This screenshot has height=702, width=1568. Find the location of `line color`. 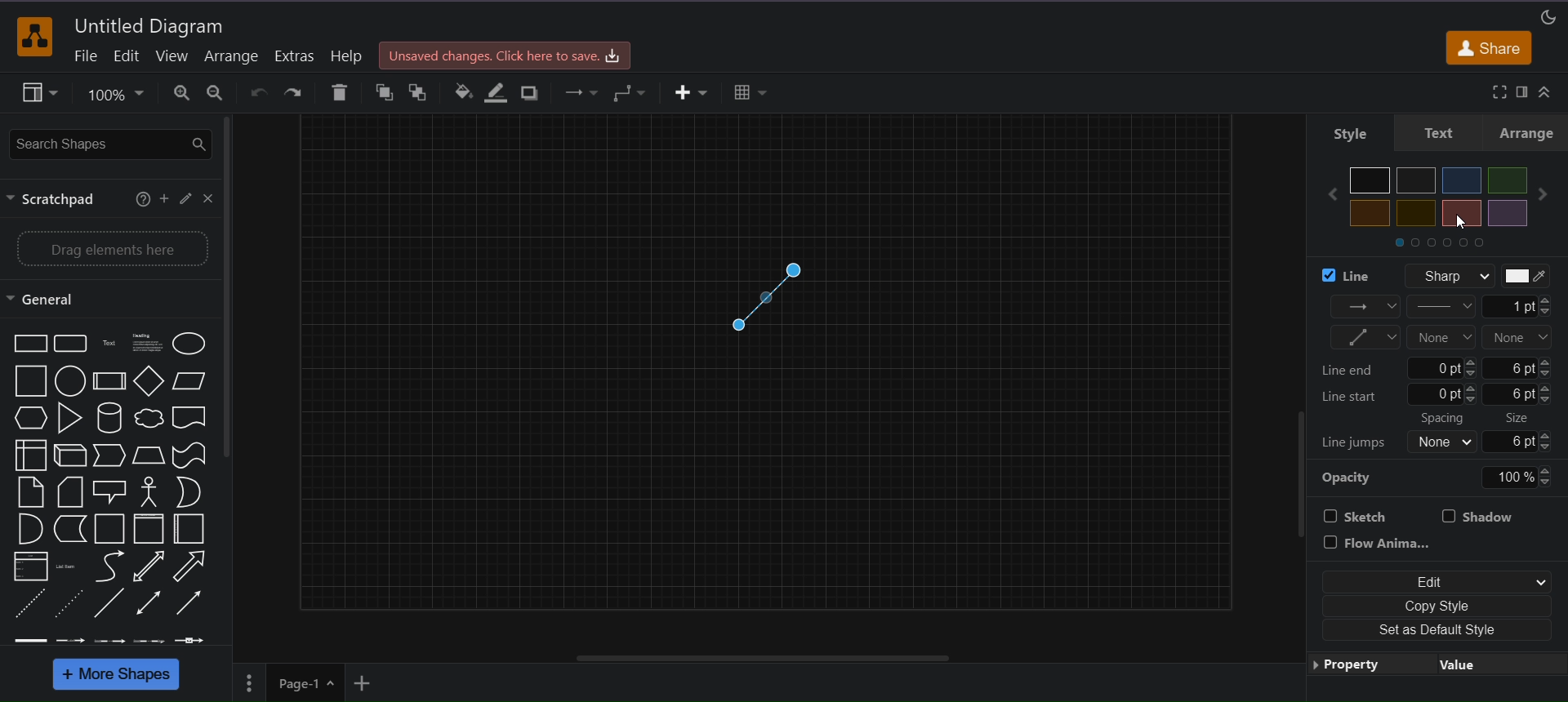

line color is located at coordinates (498, 91).